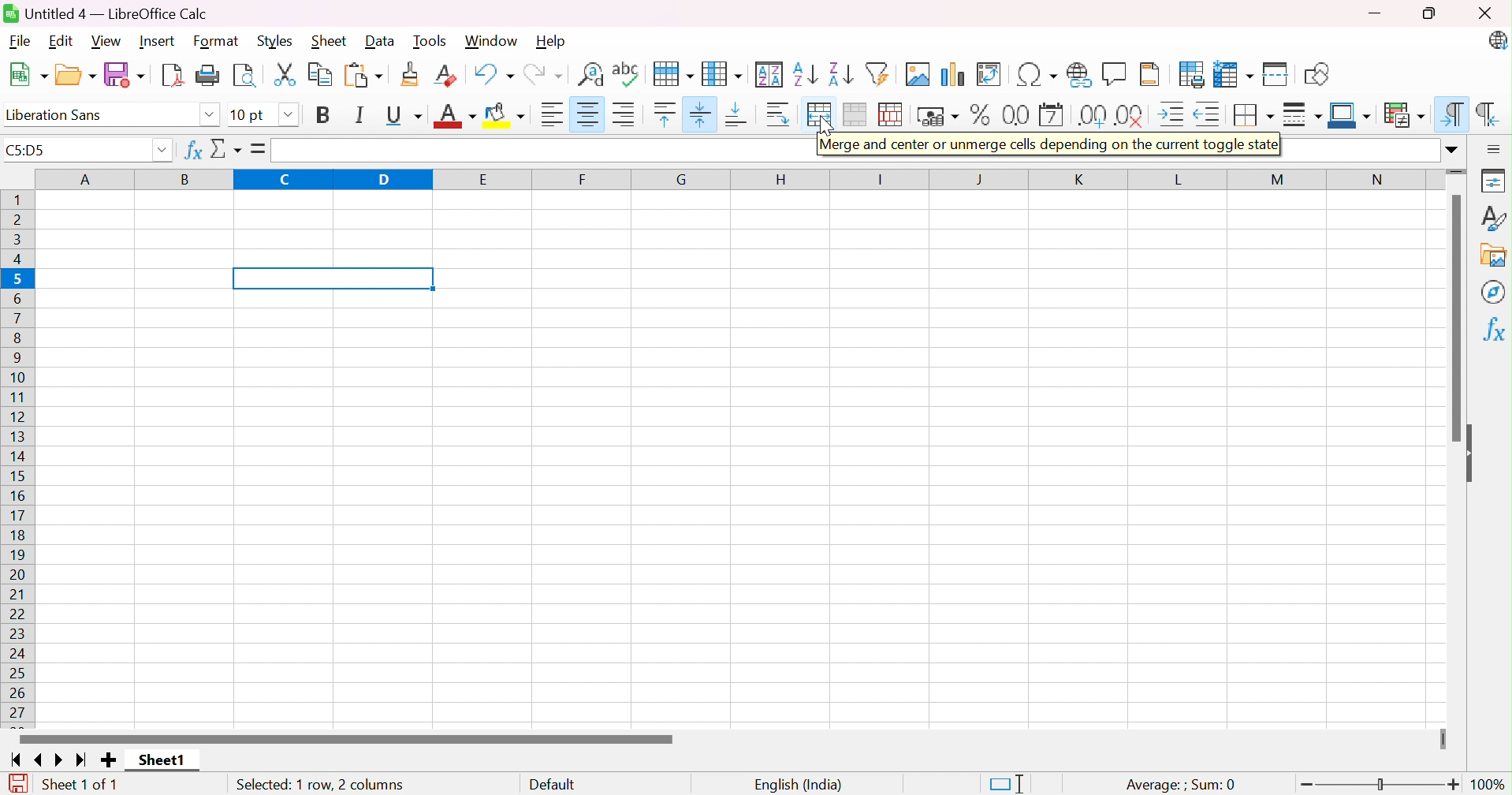  I want to click on Insert or Edit Pivot Table, so click(991, 74).